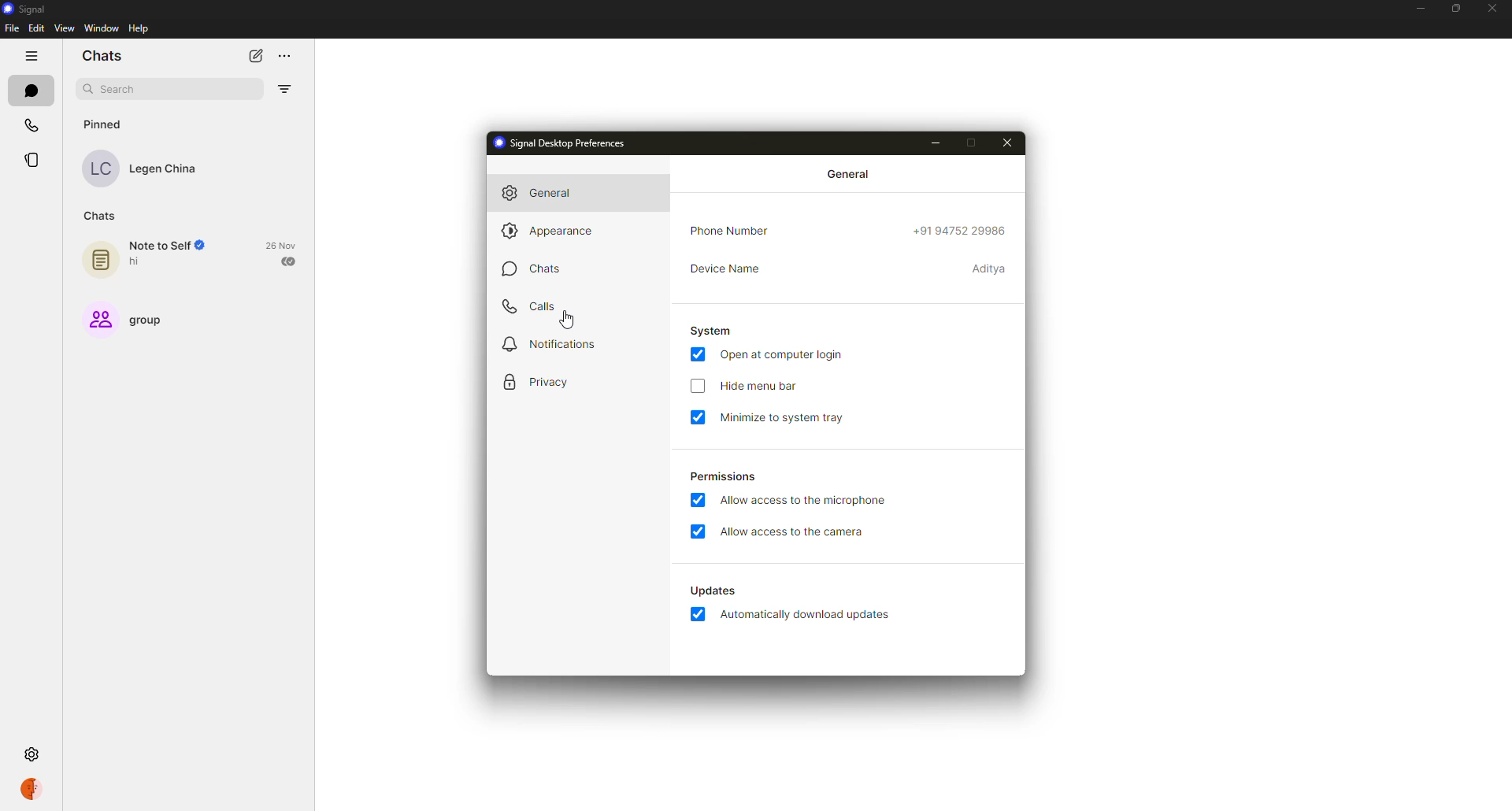 The height and width of the screenshot is (811, 1512). I want to click on view, so click(65, 28).